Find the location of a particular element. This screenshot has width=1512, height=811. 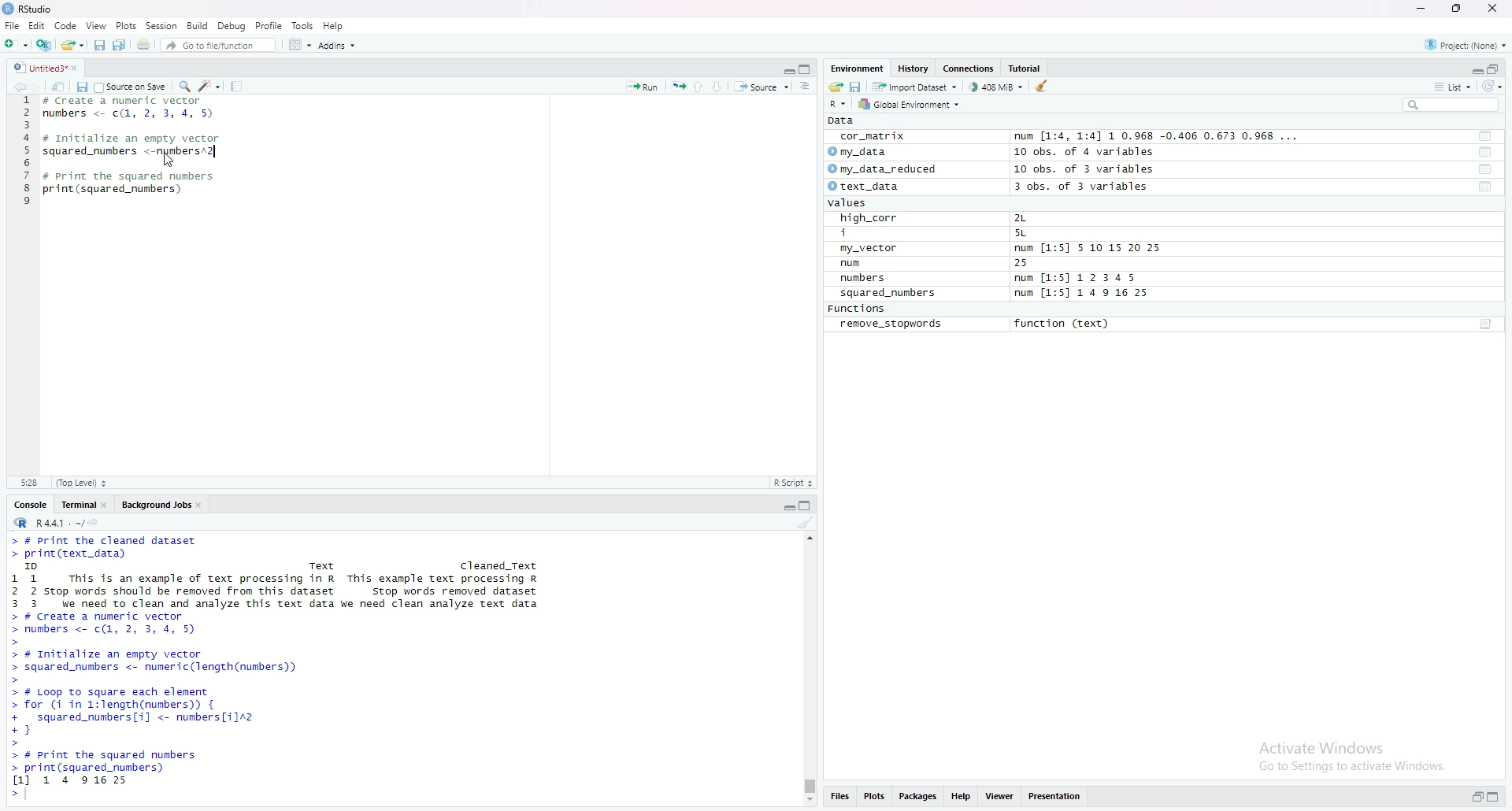

values is located at coordinates (852, 204).